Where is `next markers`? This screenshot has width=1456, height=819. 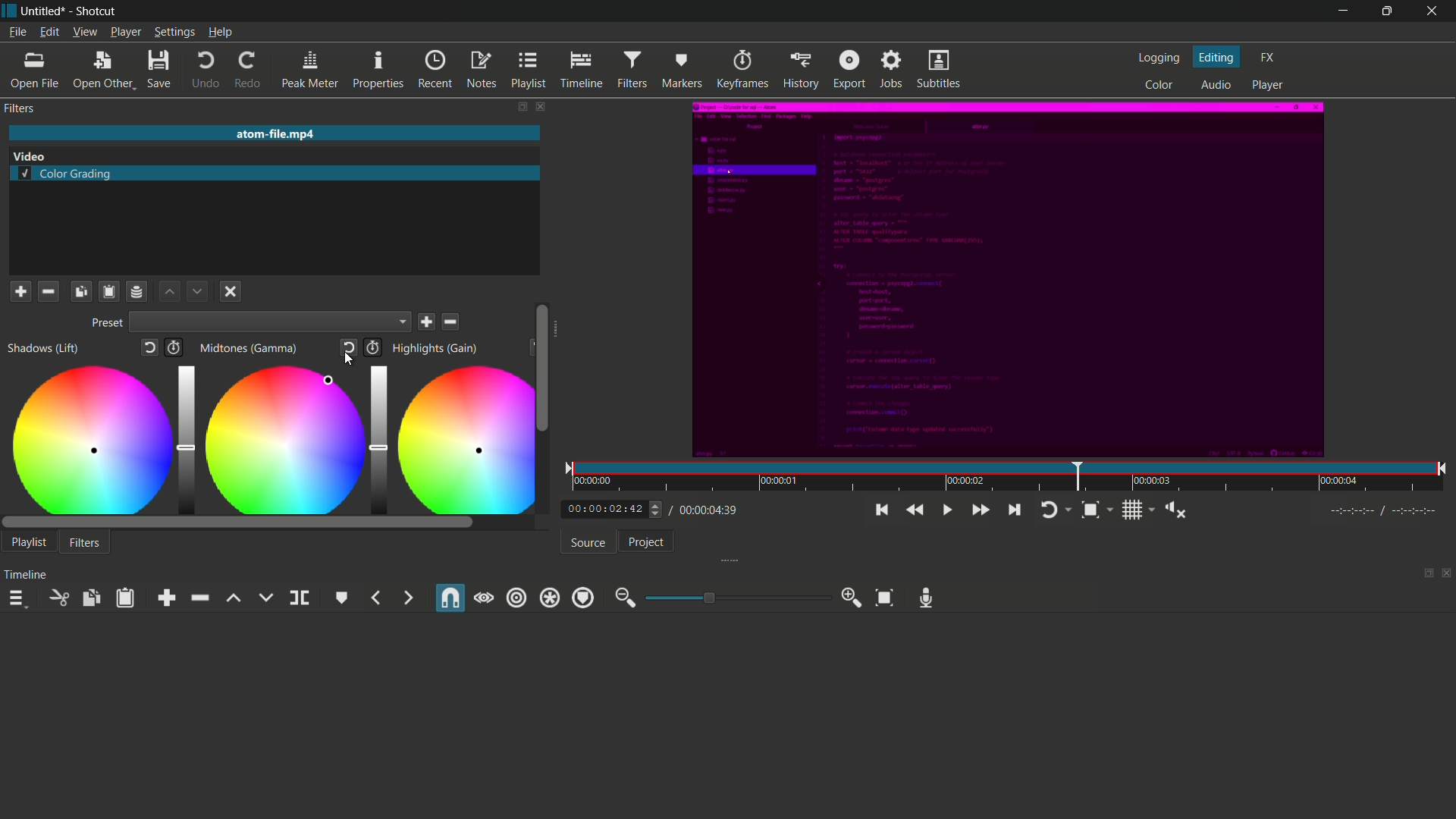 next markers is located at coordinates (406, 598).